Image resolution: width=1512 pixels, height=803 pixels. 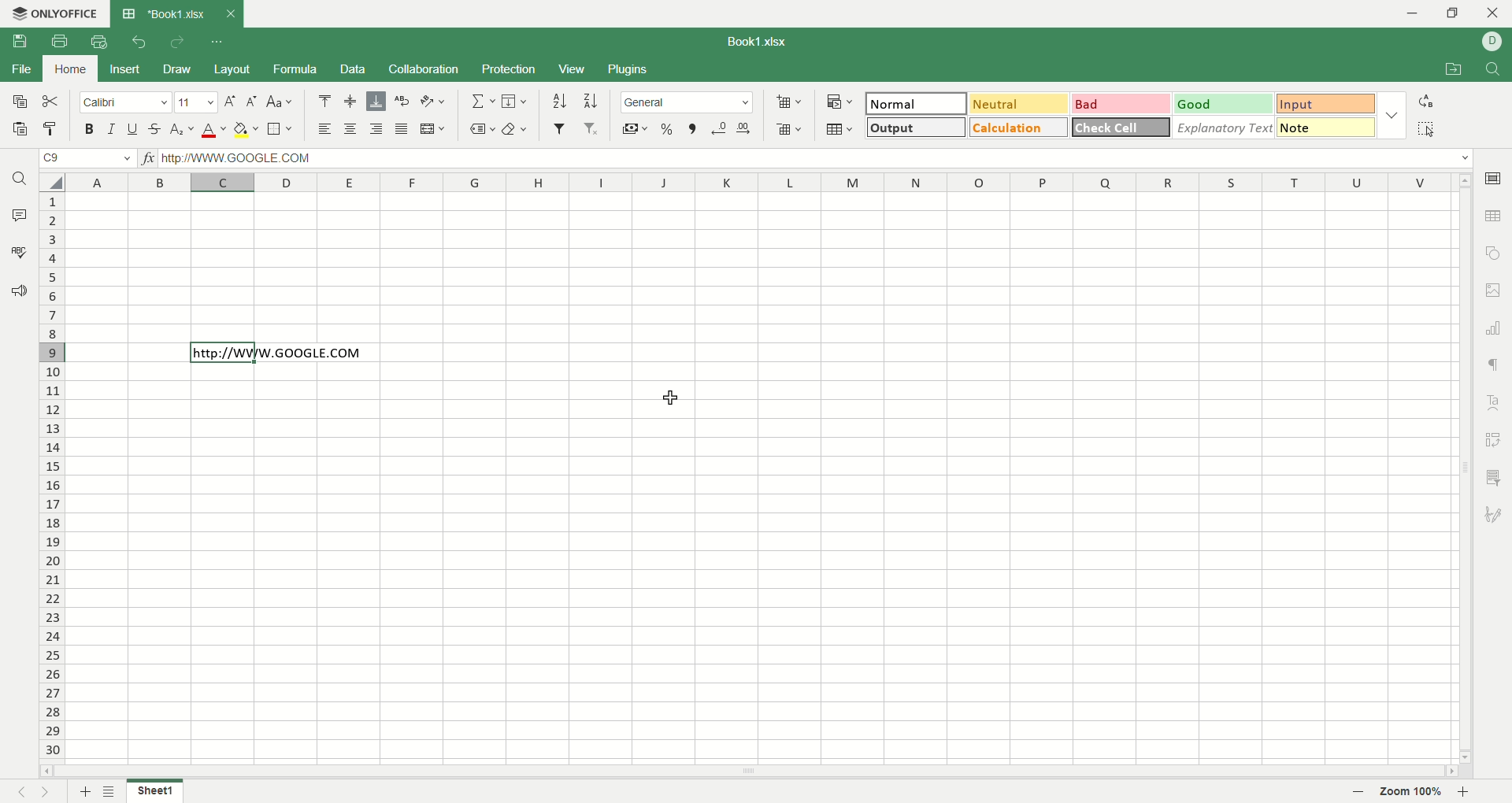 I want to click on subscript, so click(x=181, y=131).